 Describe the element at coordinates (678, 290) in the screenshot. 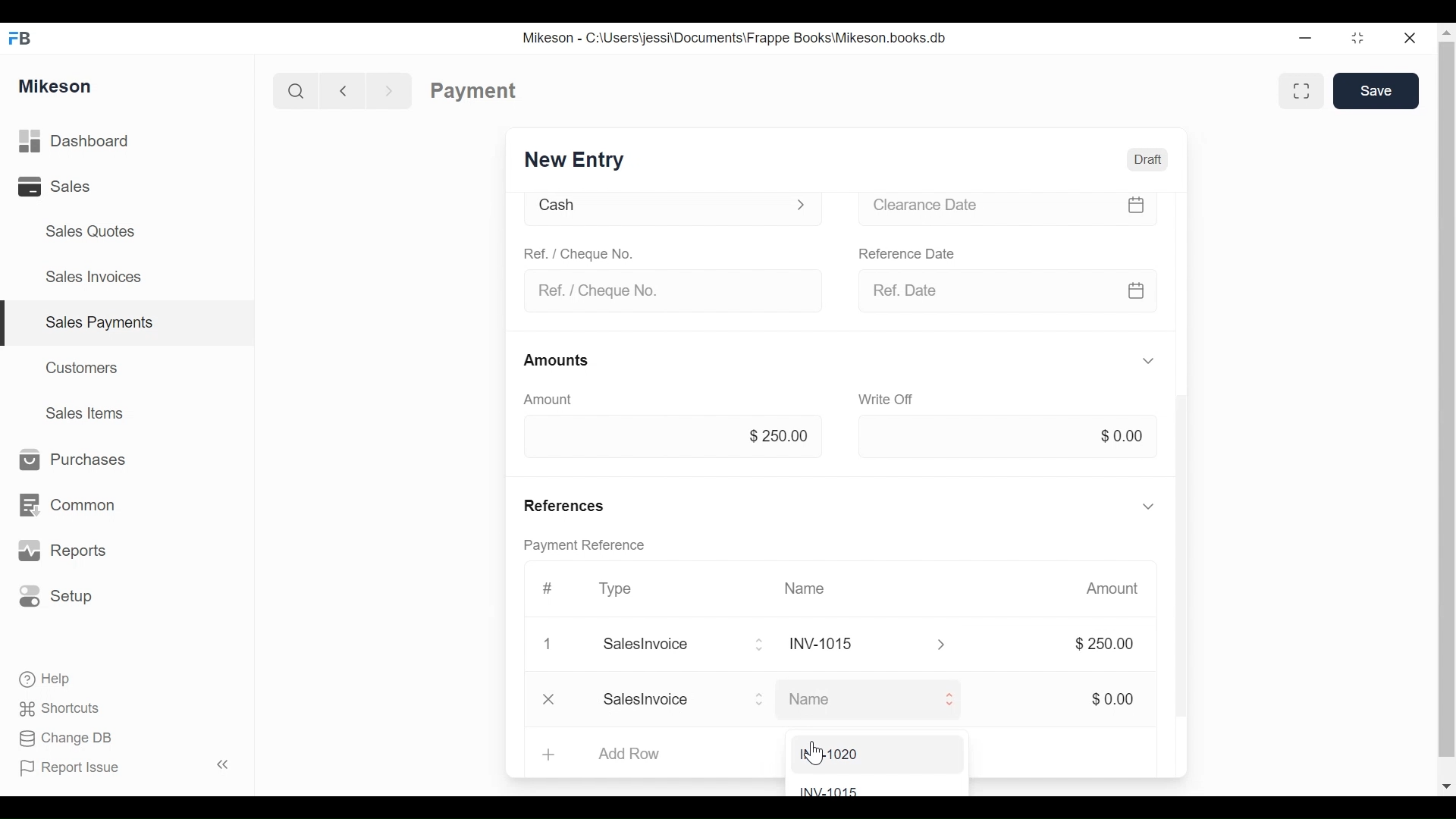

I see `Ref. / Cheque No.` at that location.